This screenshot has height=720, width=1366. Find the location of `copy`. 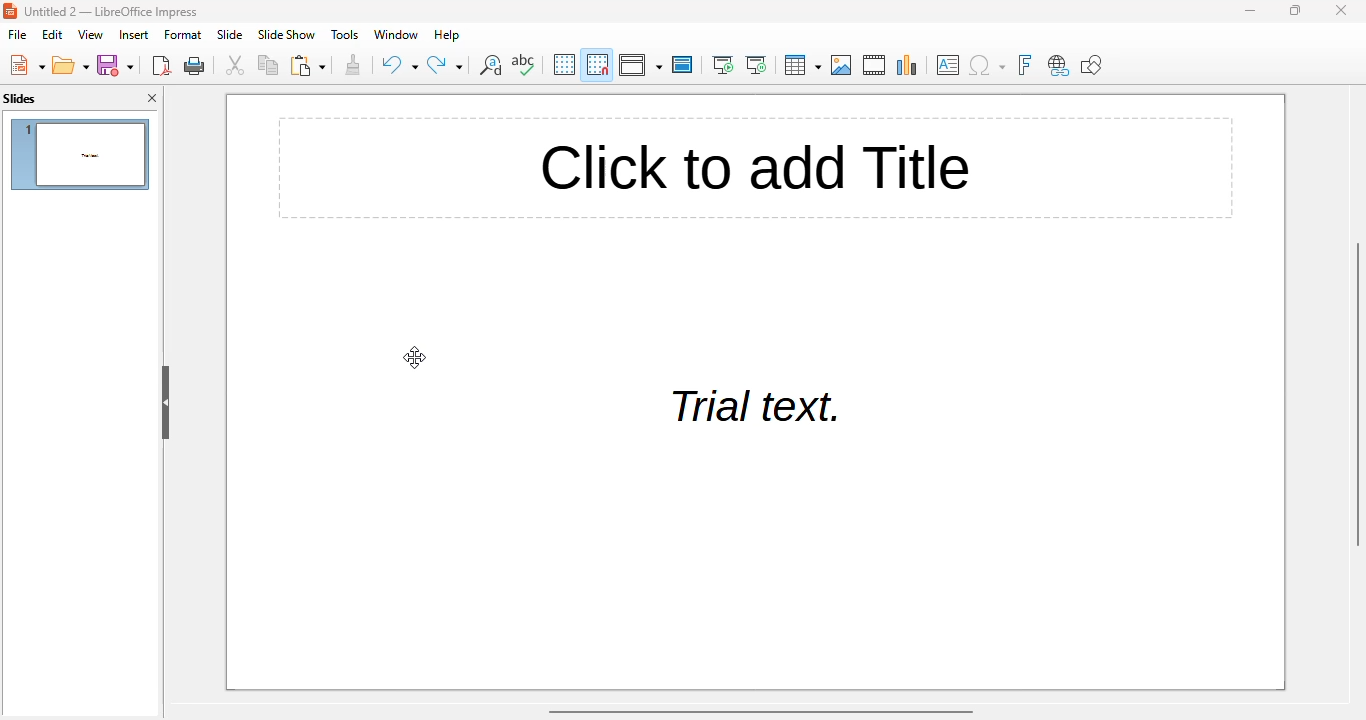

copy is located at coordinates (269, 65).